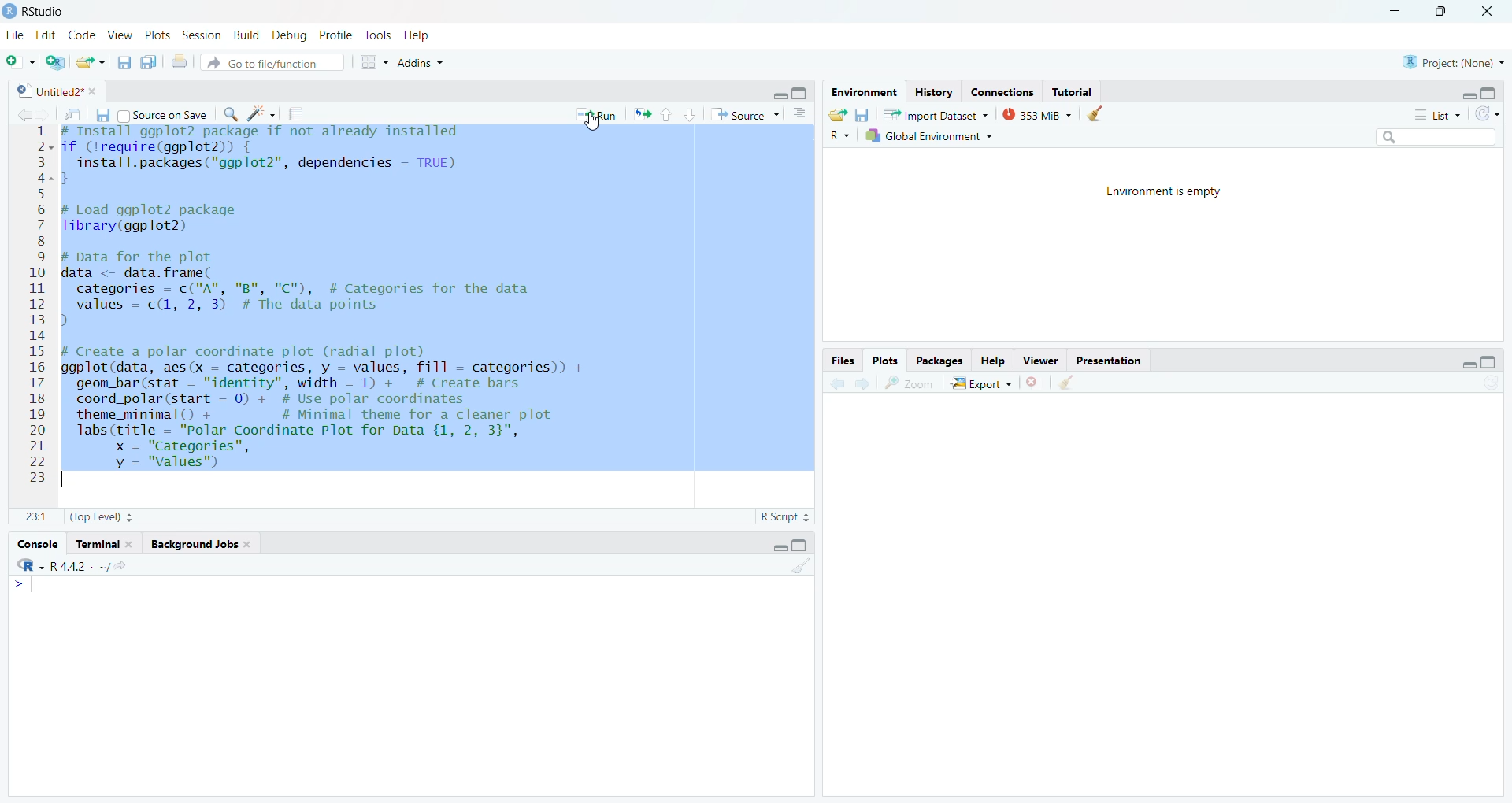  I want to click on workspace pane, so click(376, 62).